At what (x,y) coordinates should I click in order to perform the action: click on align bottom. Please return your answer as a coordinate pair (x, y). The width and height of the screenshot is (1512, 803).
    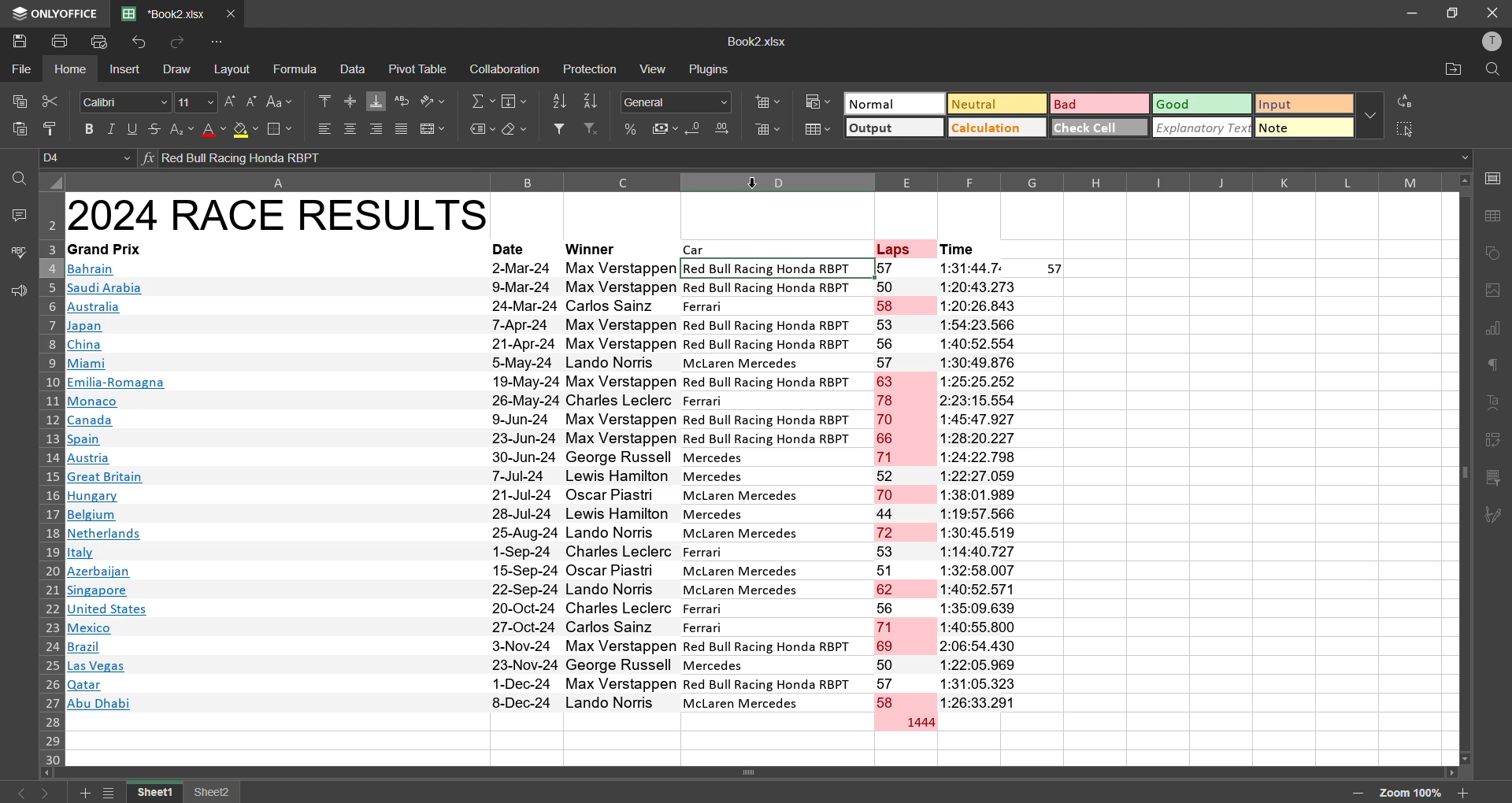
    Looking at the image, I should click on (377, 101).